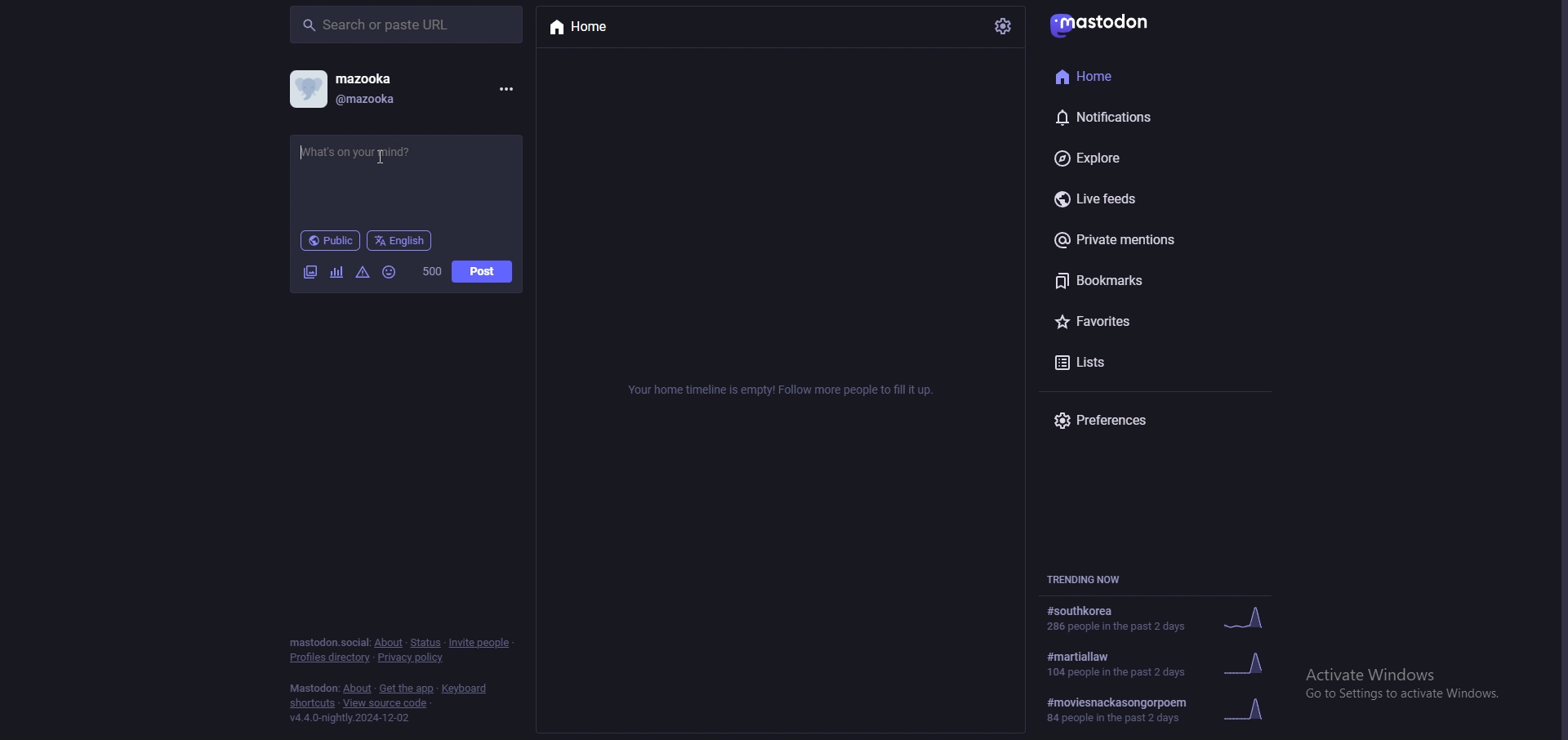 The image size is (1568, 740). What do you see at coordinates (482, 642) in the screenshot?
I see `invite people` at bounding box center [482, 642].